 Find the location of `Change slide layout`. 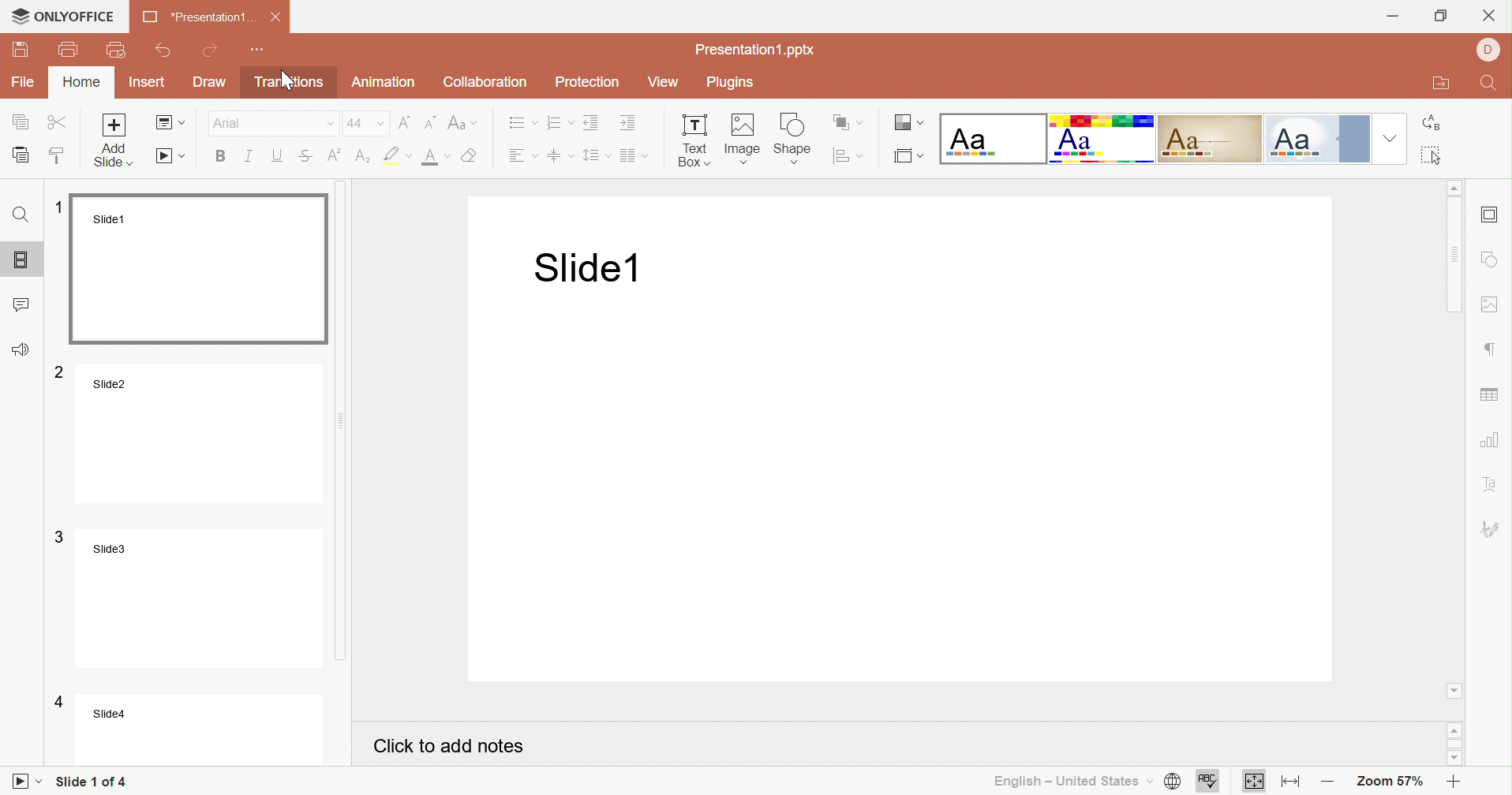

Change slide layout is located at coordinates (170, 123).